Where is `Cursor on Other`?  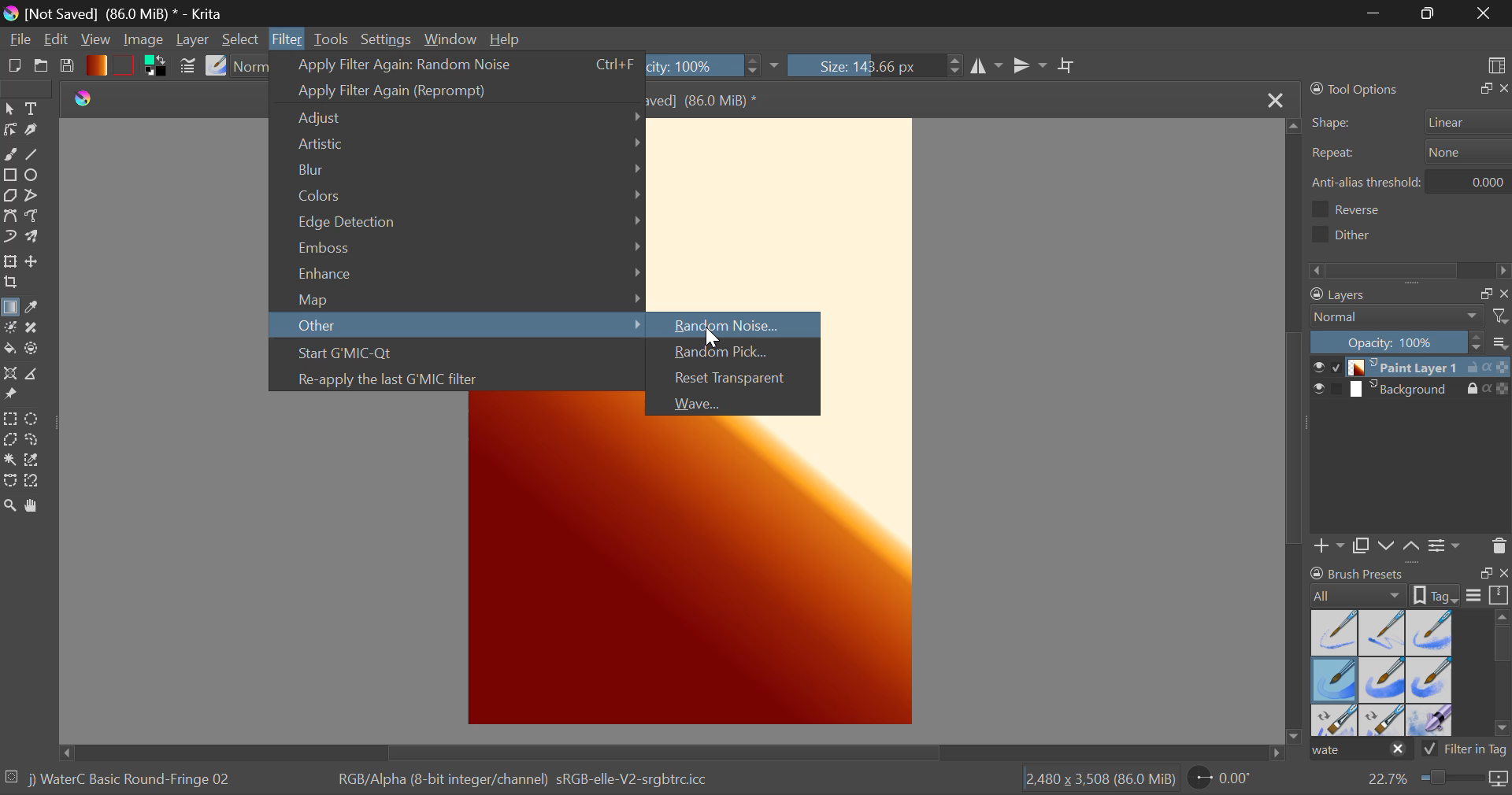
Cursor on Other is located at coordinates (460, 327).